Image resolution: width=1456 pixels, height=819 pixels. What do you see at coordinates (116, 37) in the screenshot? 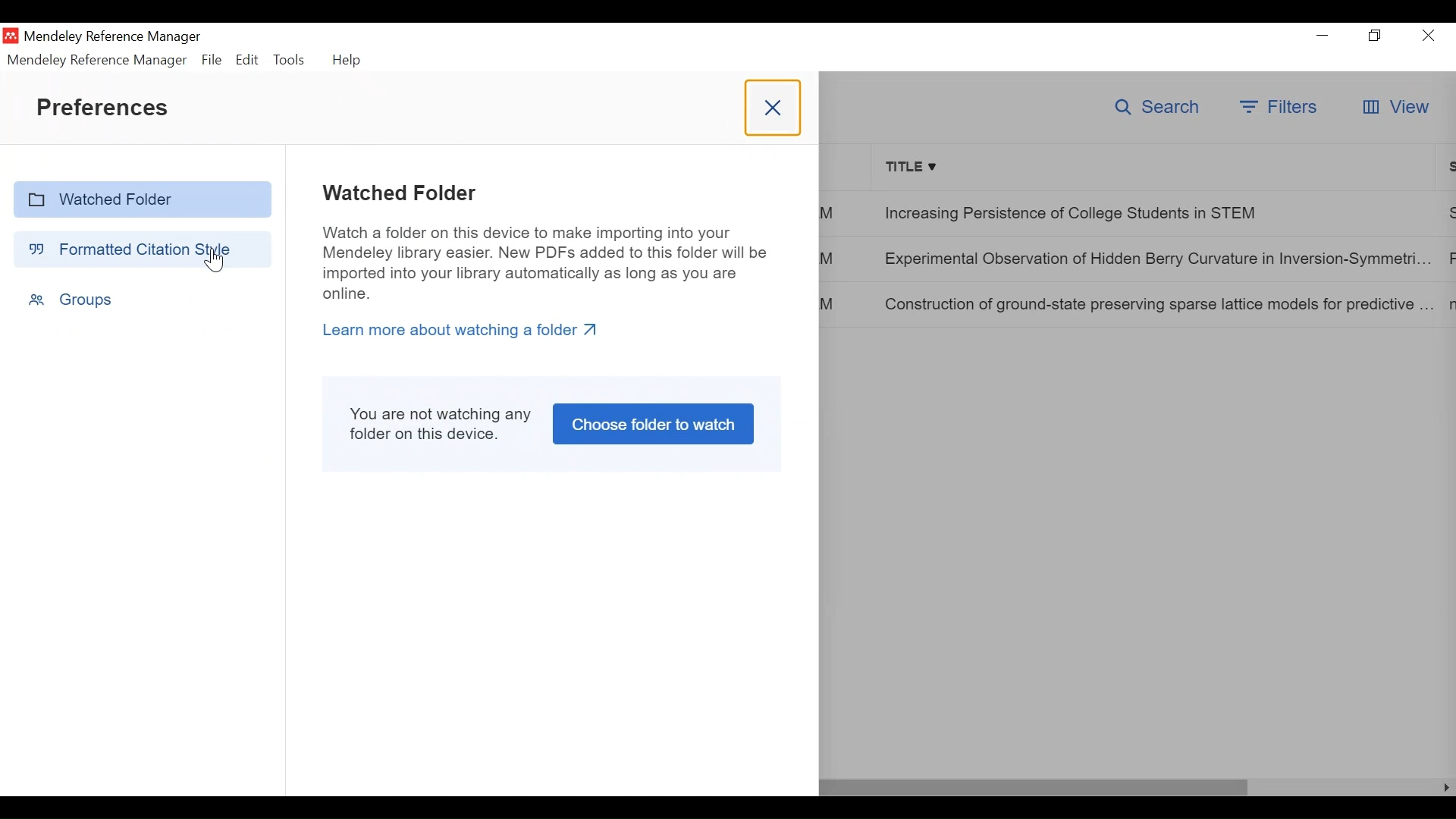
I see `Mendeley Reference Manager` at bounding box center [116, 37].